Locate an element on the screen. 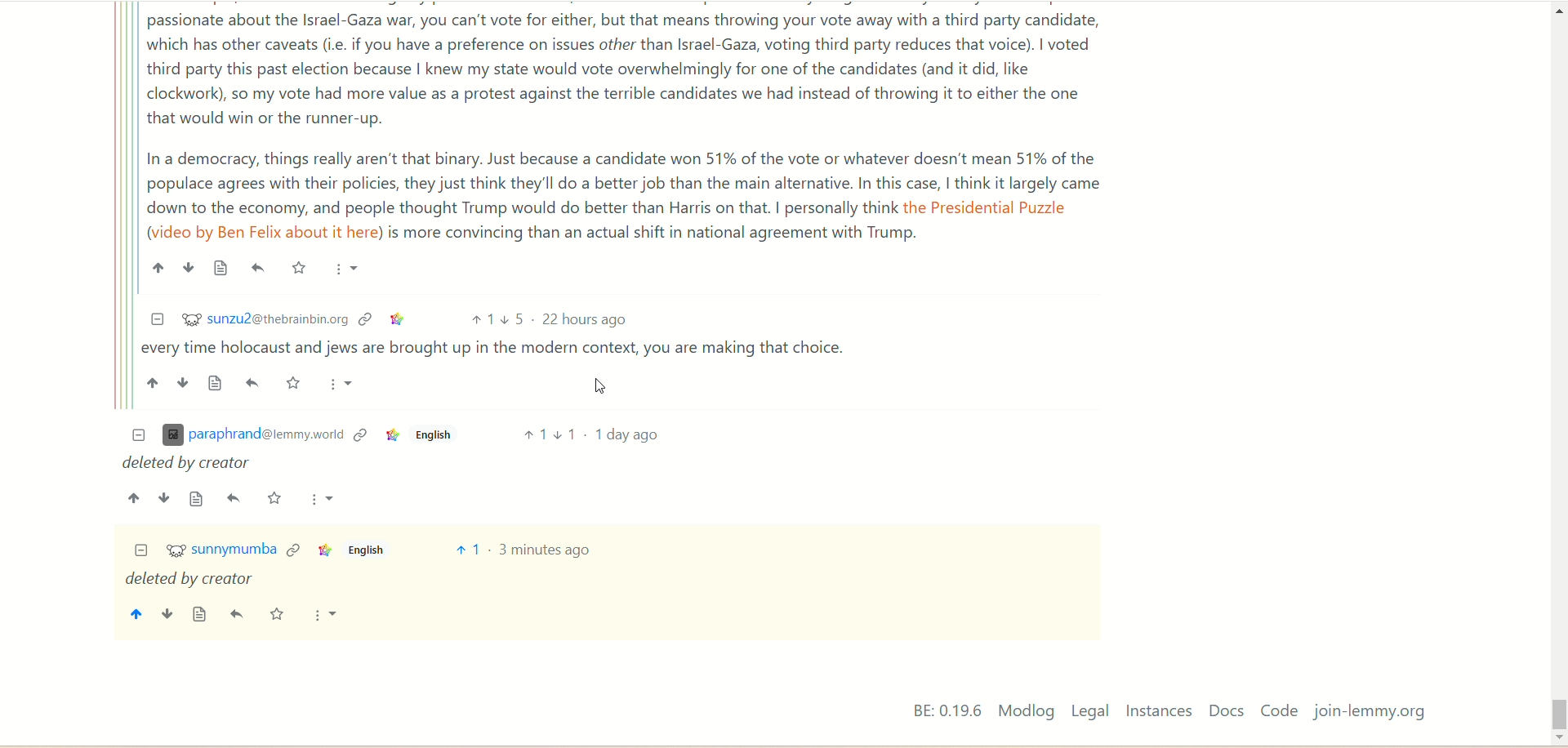 The width and height of the screenshot is (1568, 748). Legal is located at coordinates (1090, 710).